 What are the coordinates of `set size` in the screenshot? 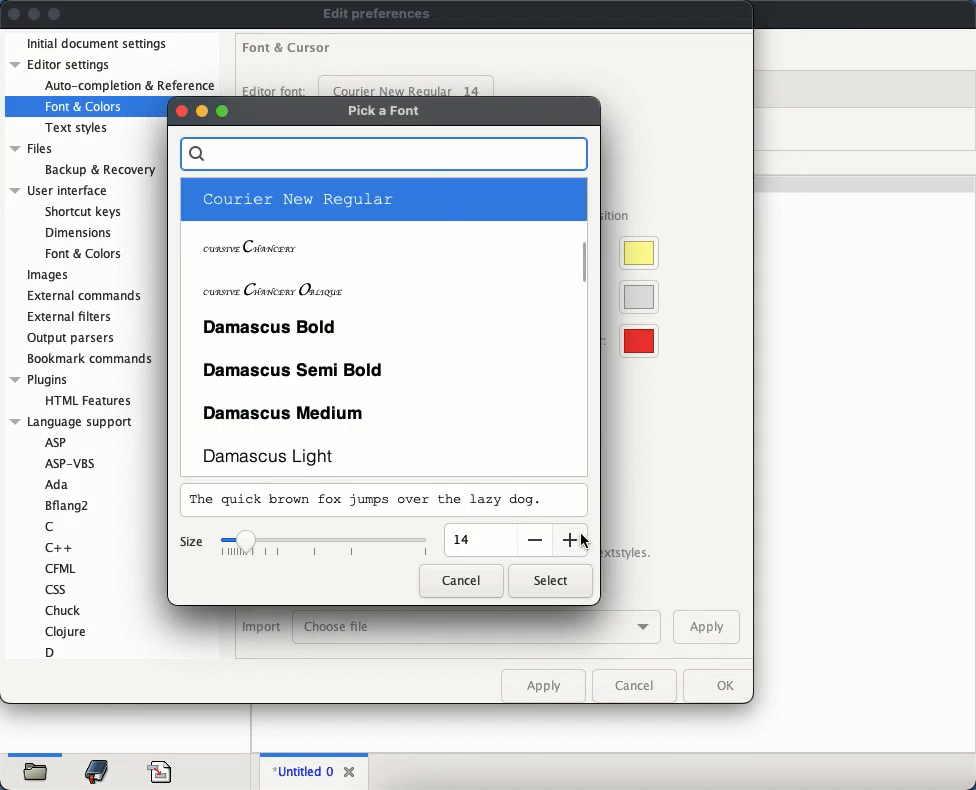 It's located at (480, 540).